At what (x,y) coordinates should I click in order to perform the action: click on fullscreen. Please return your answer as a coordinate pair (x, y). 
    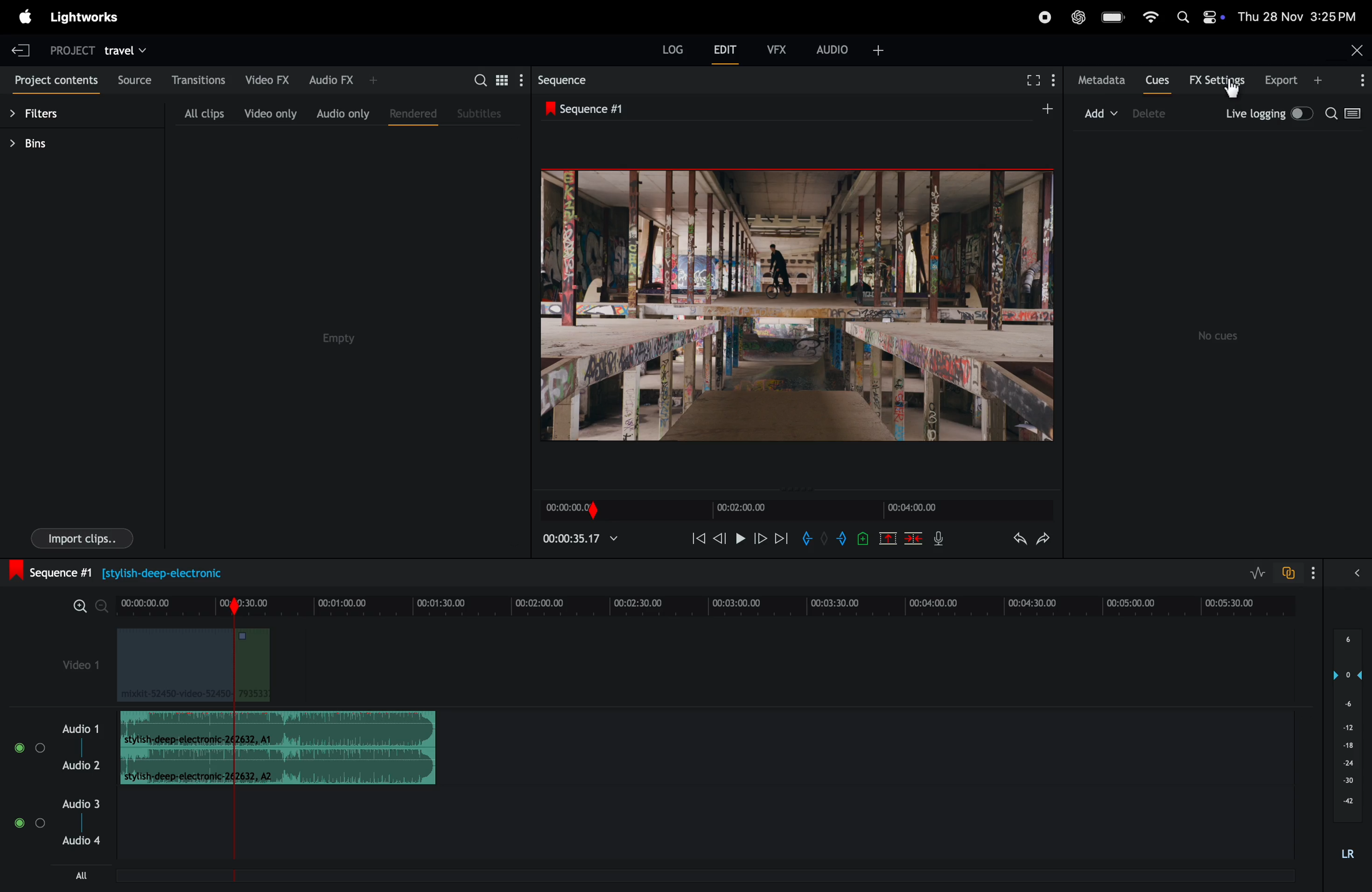
    Looking at the image, I should click on (1032, 82).